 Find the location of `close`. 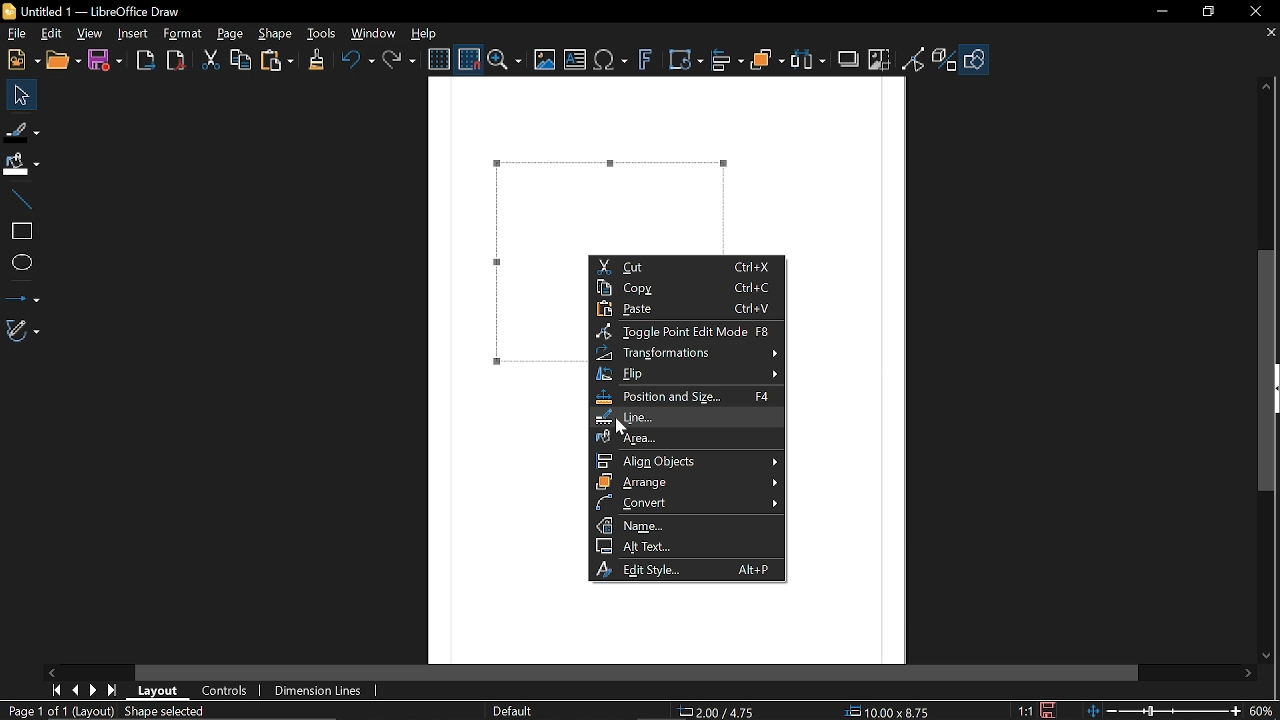

close is located at coordinates (1255, 12).